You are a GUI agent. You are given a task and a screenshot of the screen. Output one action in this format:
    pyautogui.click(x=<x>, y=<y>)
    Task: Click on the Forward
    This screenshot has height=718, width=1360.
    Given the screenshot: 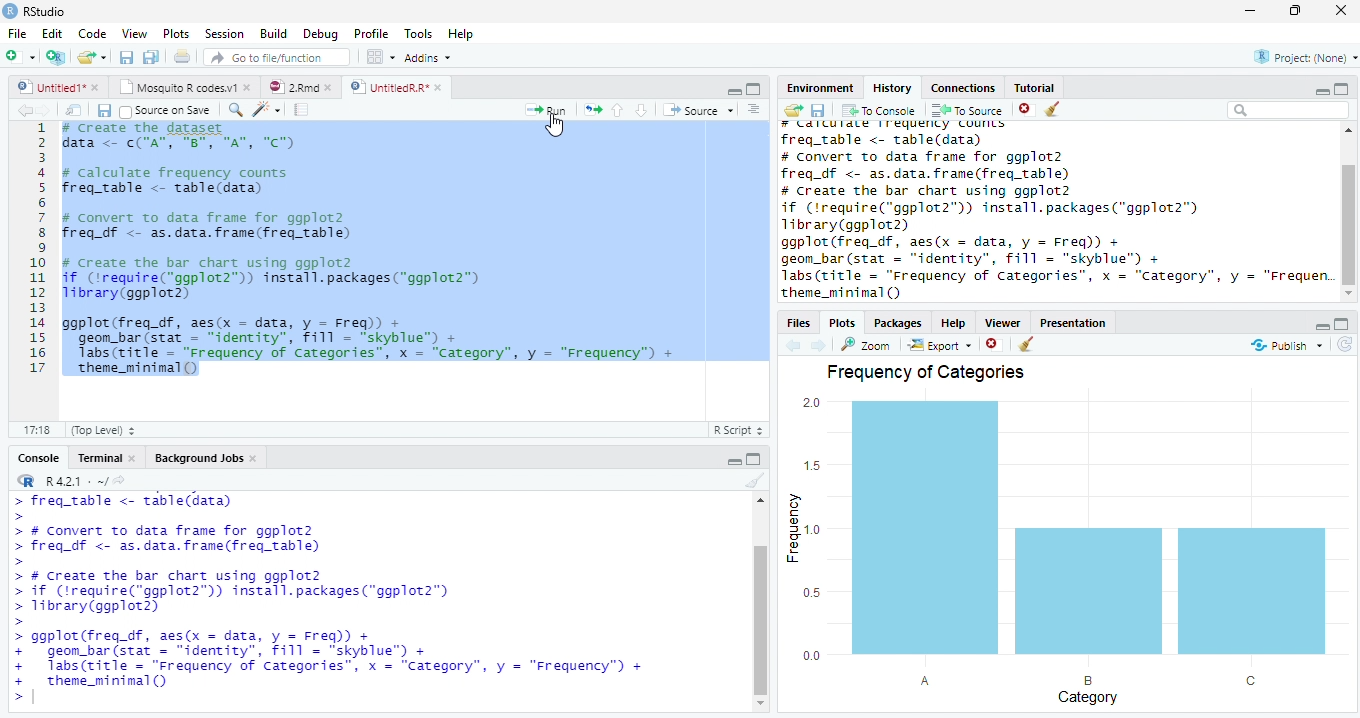 What is the action you would take?
    pyautogui.click(x=50, y=110)
    